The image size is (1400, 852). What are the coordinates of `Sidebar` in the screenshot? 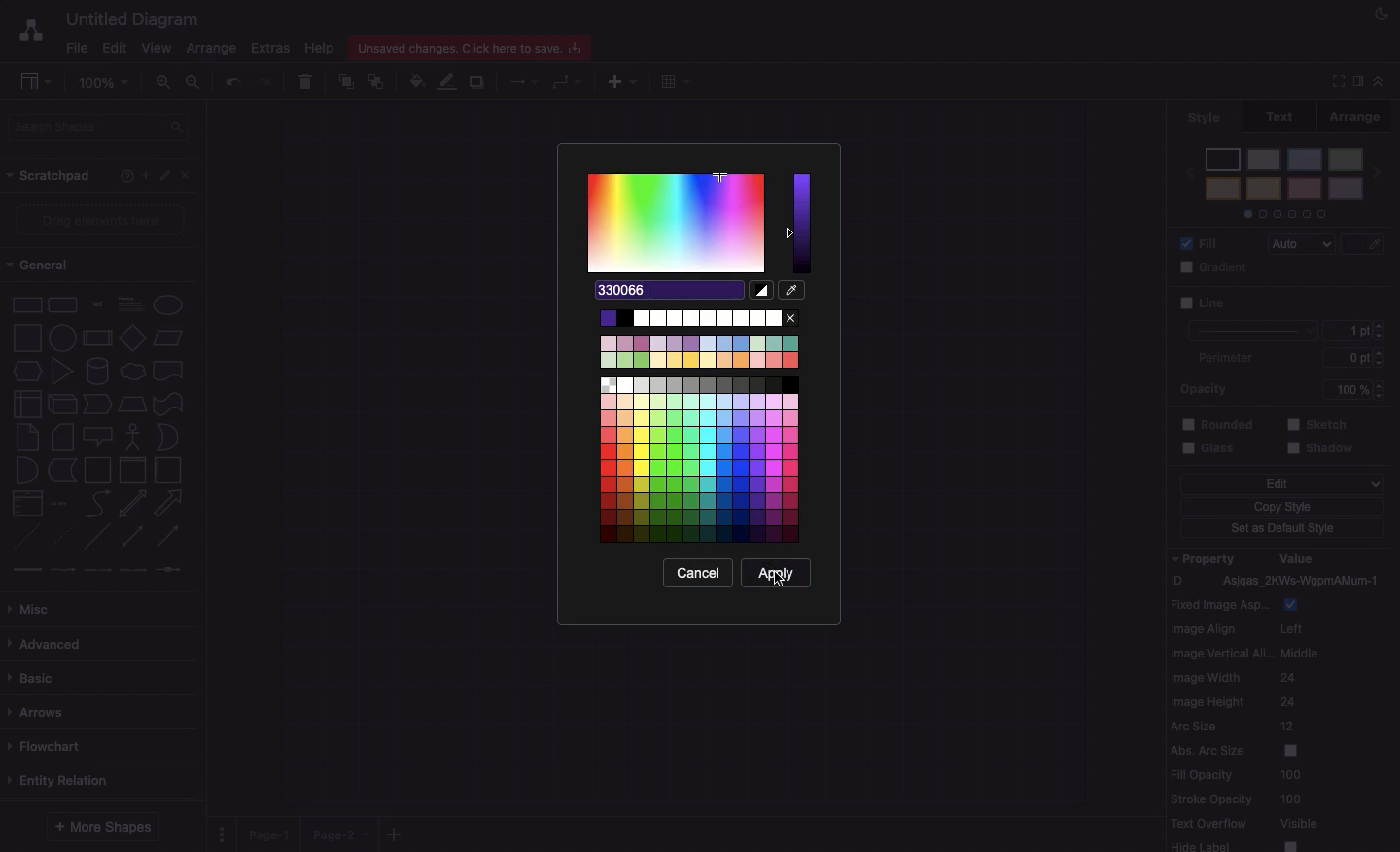 It's located at (1356, 80).